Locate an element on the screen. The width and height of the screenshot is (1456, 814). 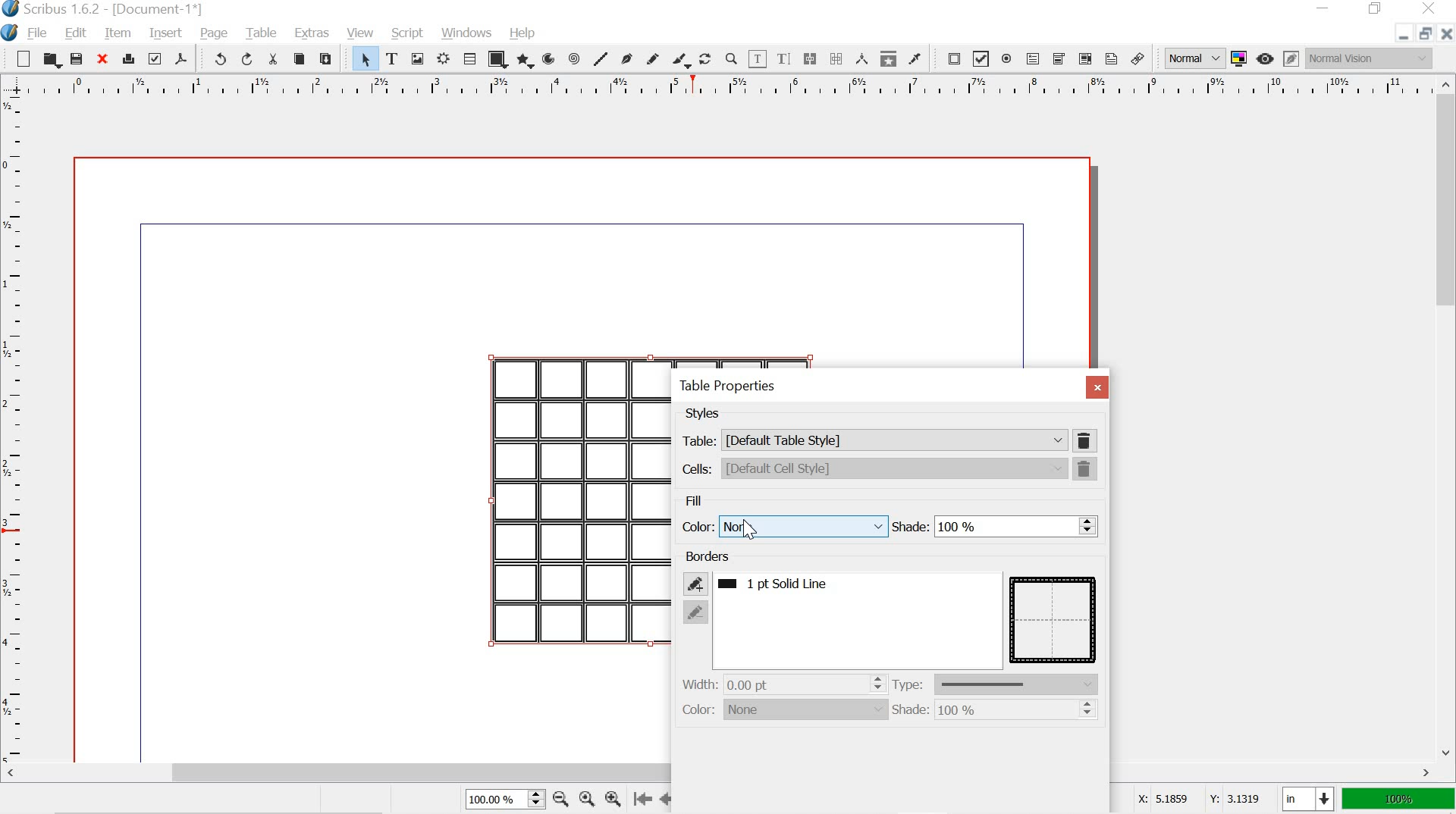
preview mode is located at coordinates (1265, 59).